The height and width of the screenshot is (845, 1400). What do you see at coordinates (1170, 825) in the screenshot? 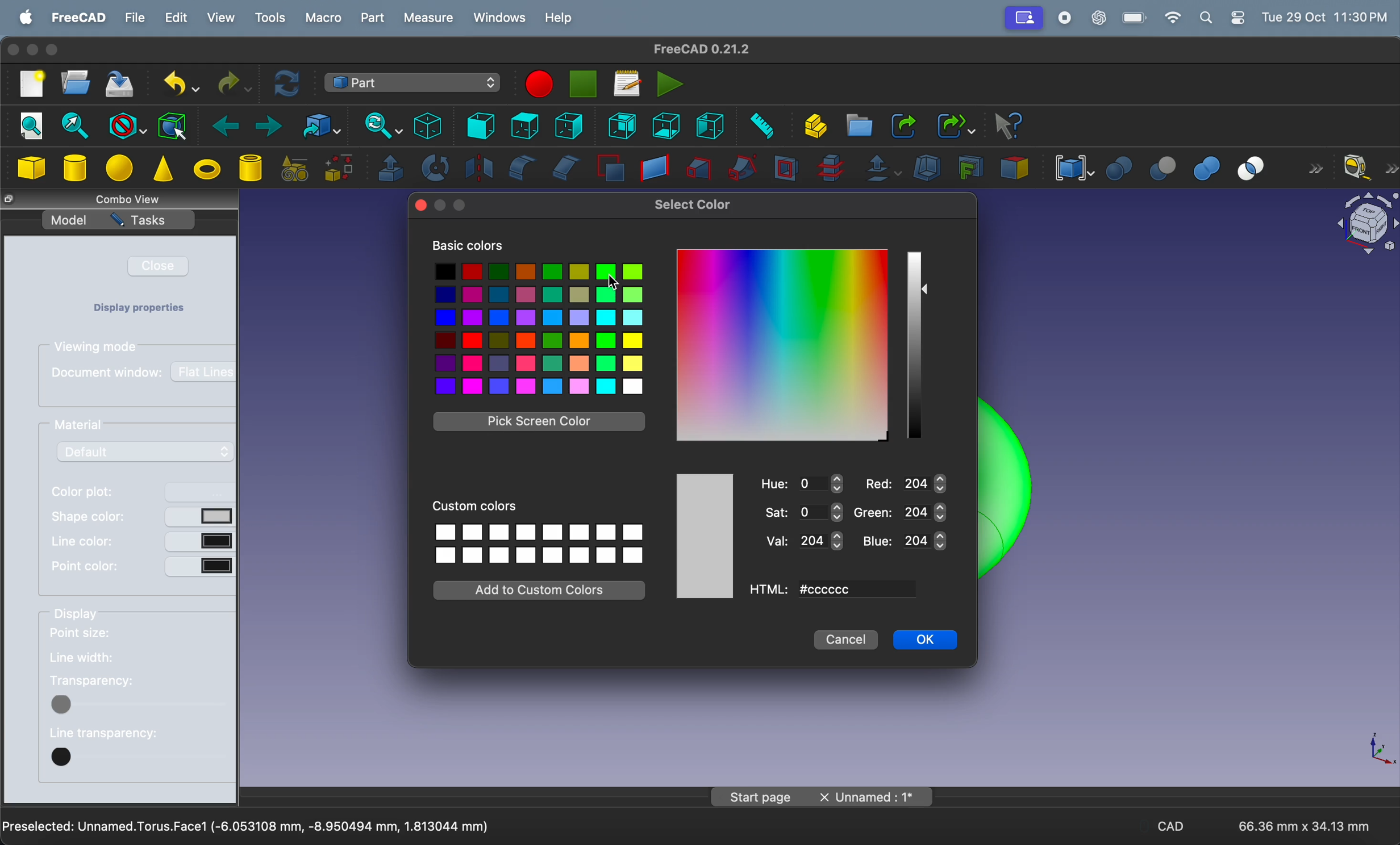
I see `CAD` at bounding box center [1170, 825].